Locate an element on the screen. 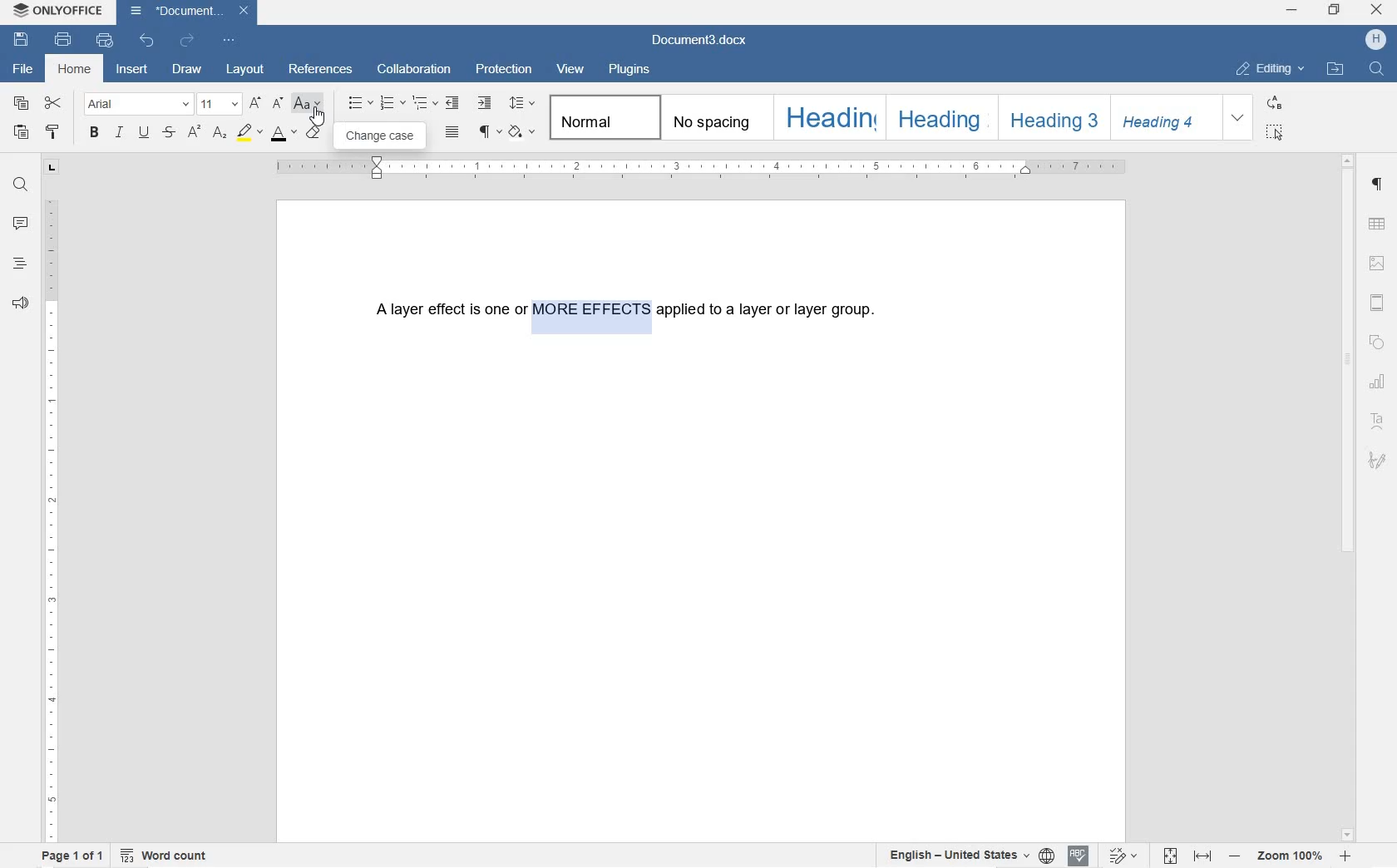 This screenshot has width=1397, height=868. SELECT ALL is located at coordinates (1276, 132).